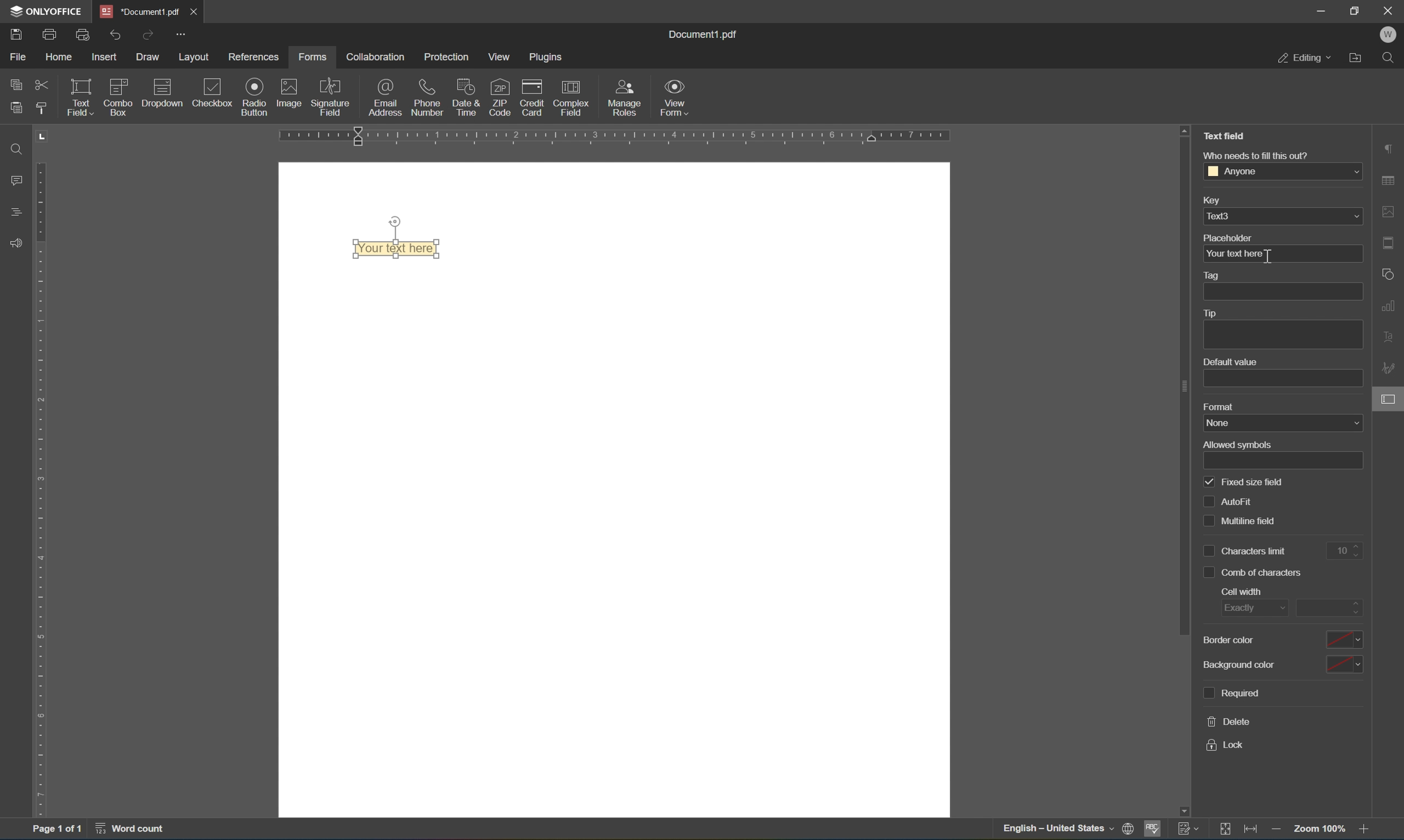 The height and width of the screenshot is (840, 1404). Describe the element at coordinates (1390, 370) in the screenshot. I see `signature settings` at that location.